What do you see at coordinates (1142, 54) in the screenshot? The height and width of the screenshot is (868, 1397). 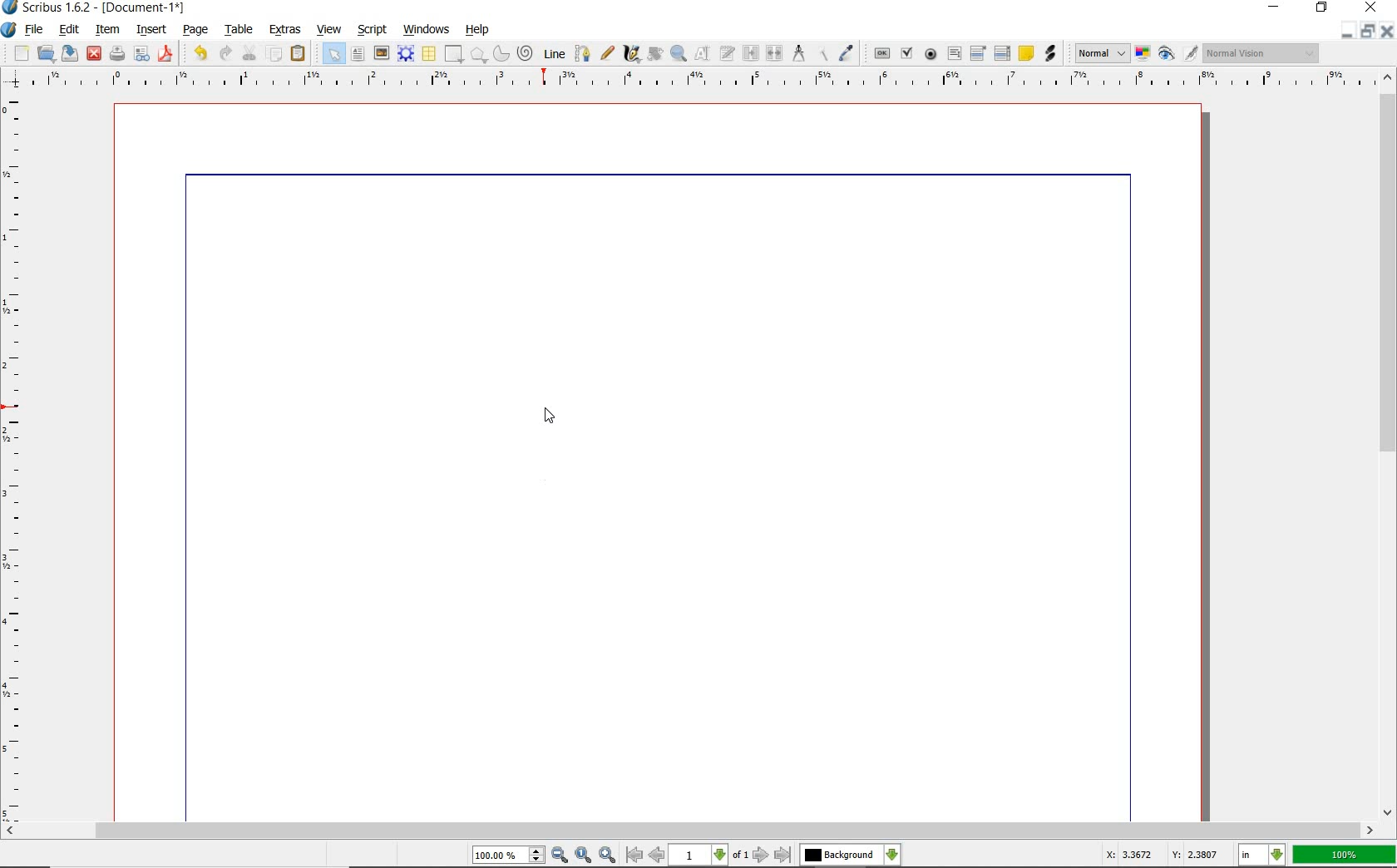 I see `toggle color management` at bounding box center [1142, 54].